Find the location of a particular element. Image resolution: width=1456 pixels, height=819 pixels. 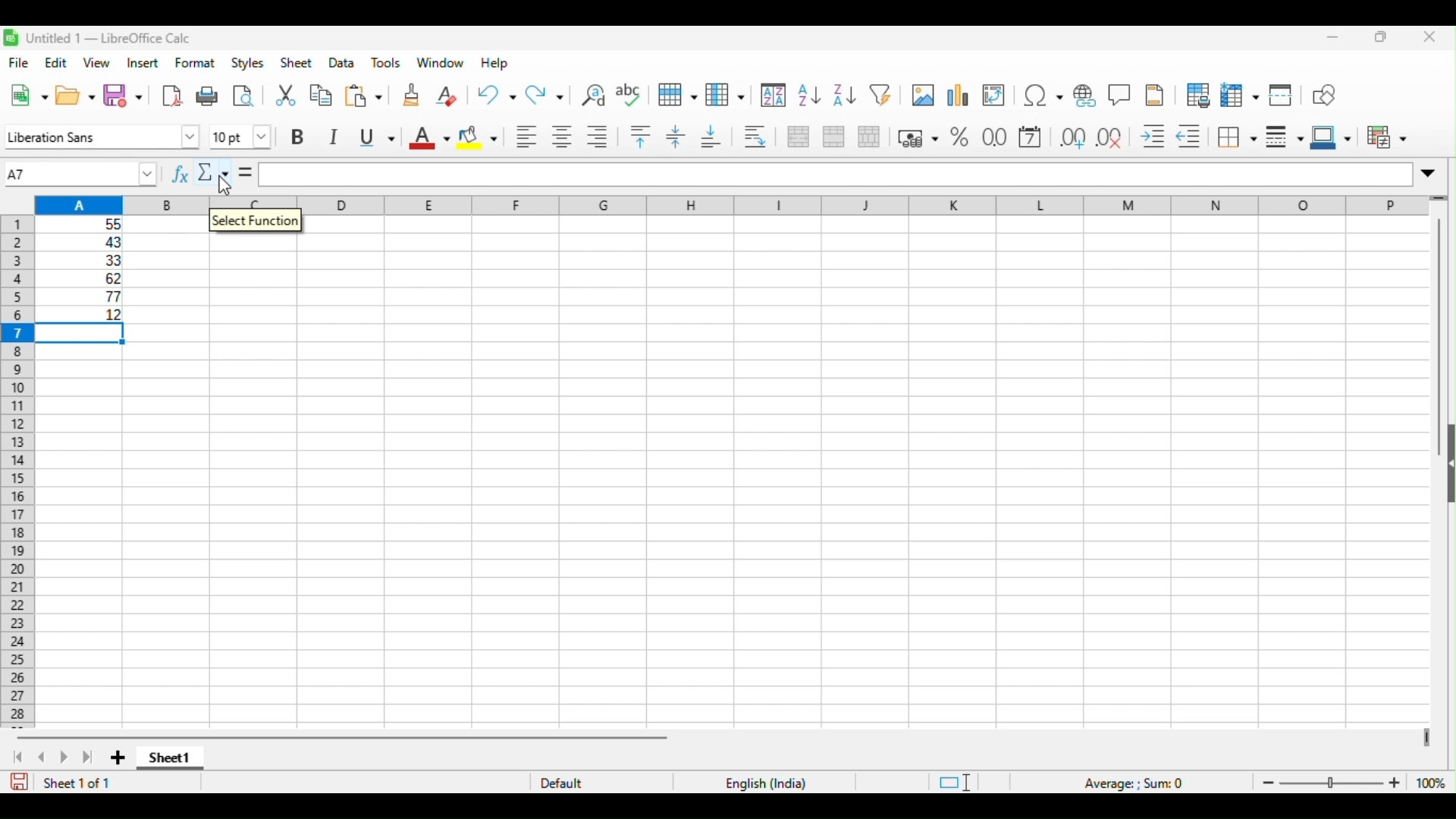

center vertically is located at coordinates (674, 136).